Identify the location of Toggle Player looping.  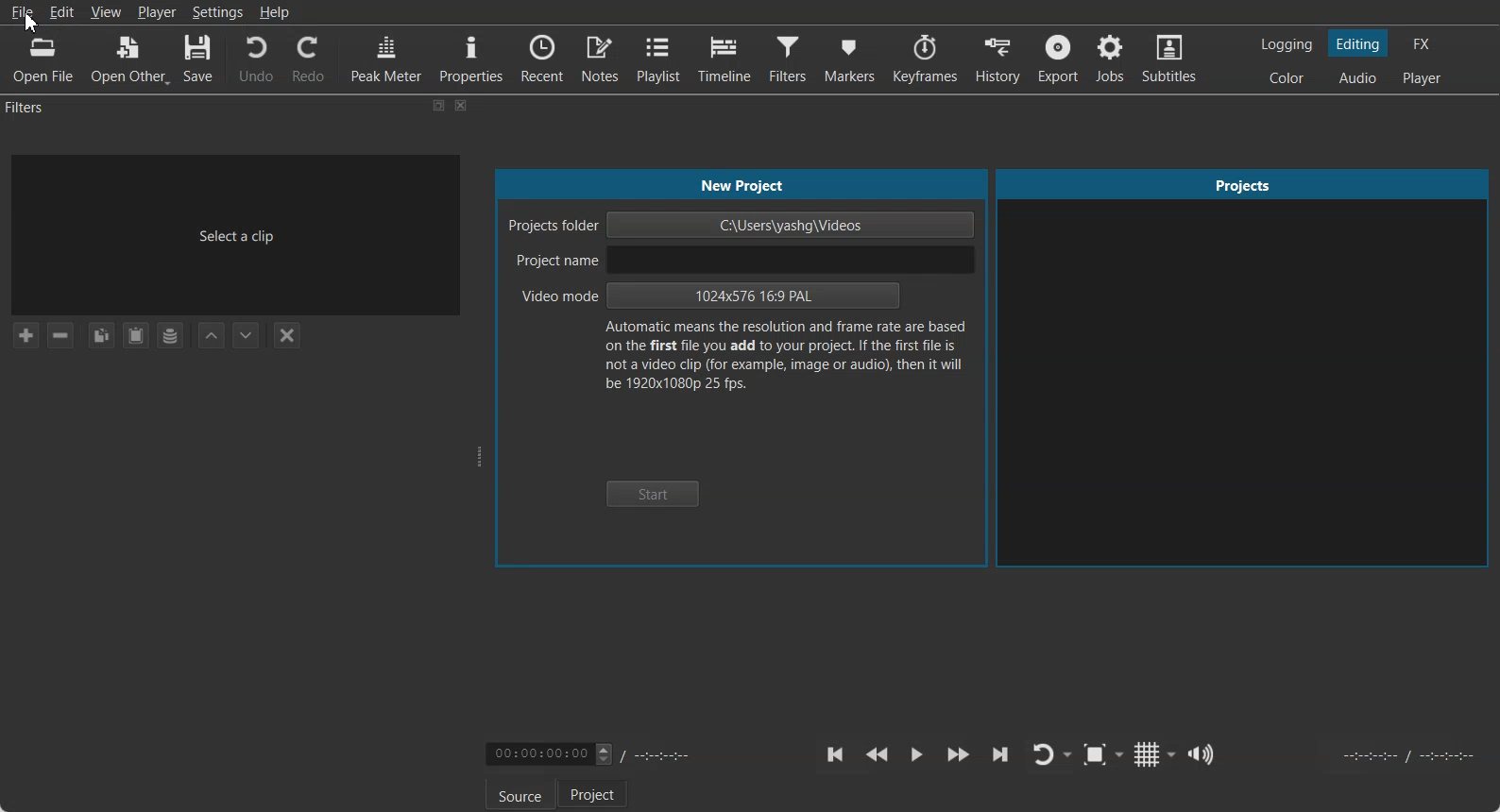
(1051, 755).